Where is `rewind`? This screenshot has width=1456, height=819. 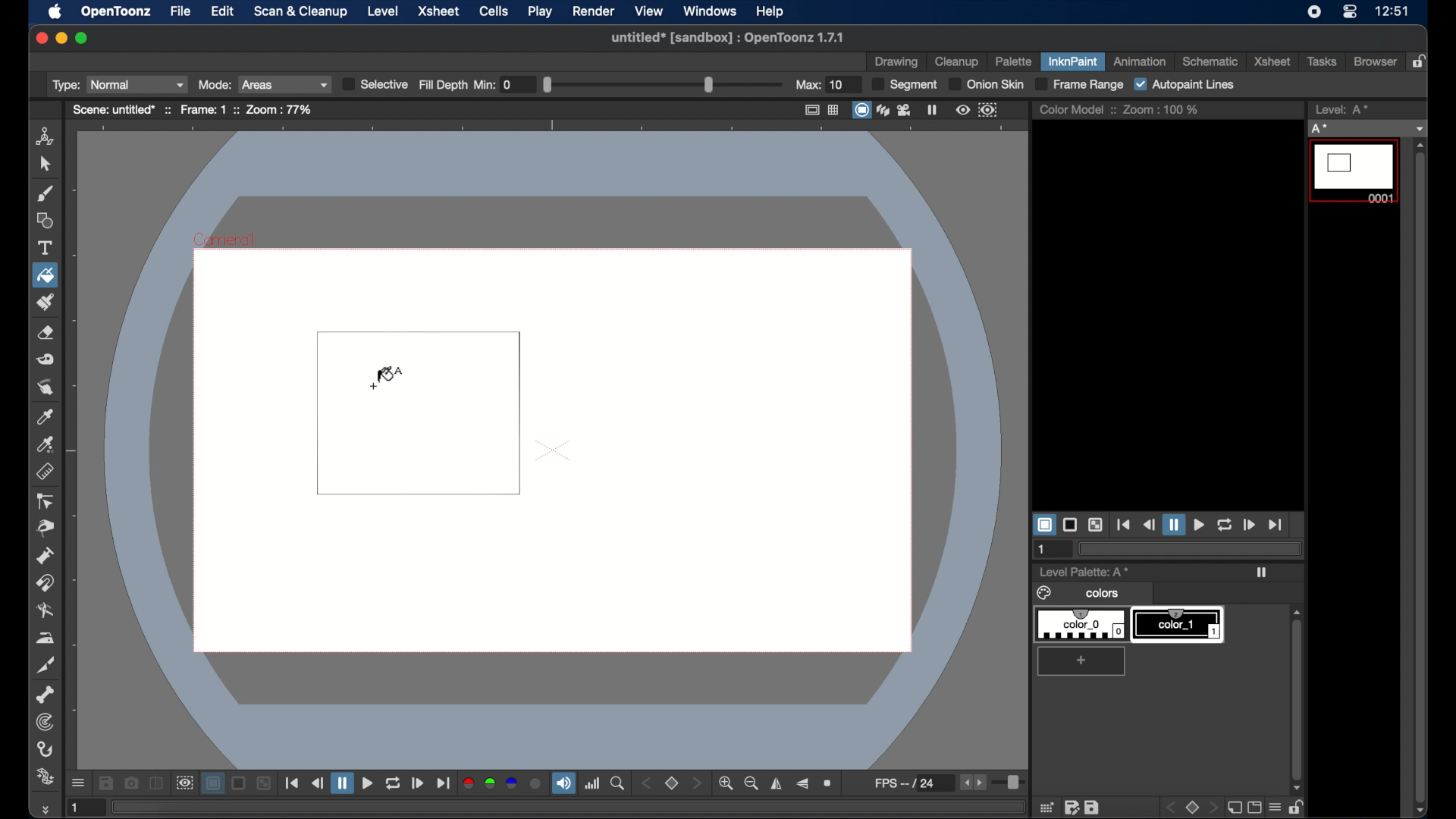 rewind is located at coordinates (1148, 525).